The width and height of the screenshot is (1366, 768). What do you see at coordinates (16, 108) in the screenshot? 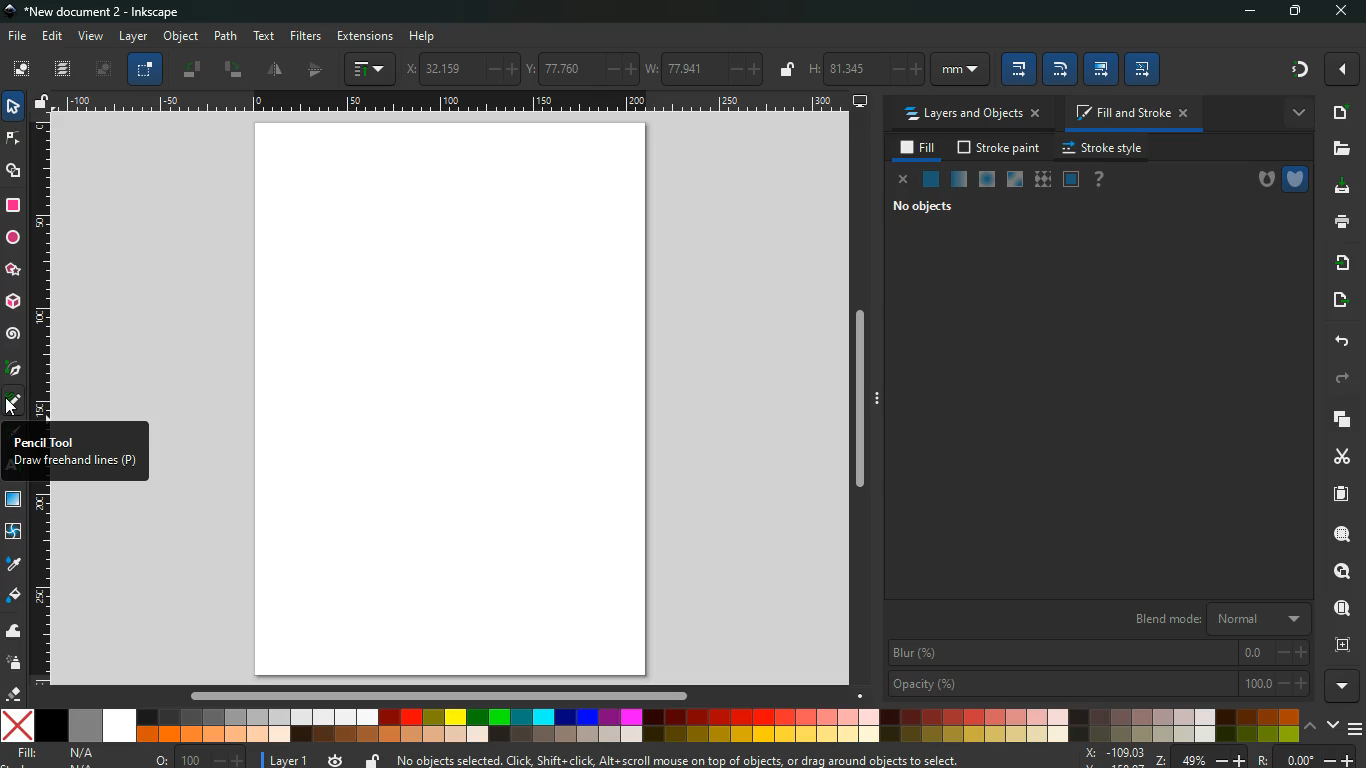
I see `select` at bounding box center [16, 108].